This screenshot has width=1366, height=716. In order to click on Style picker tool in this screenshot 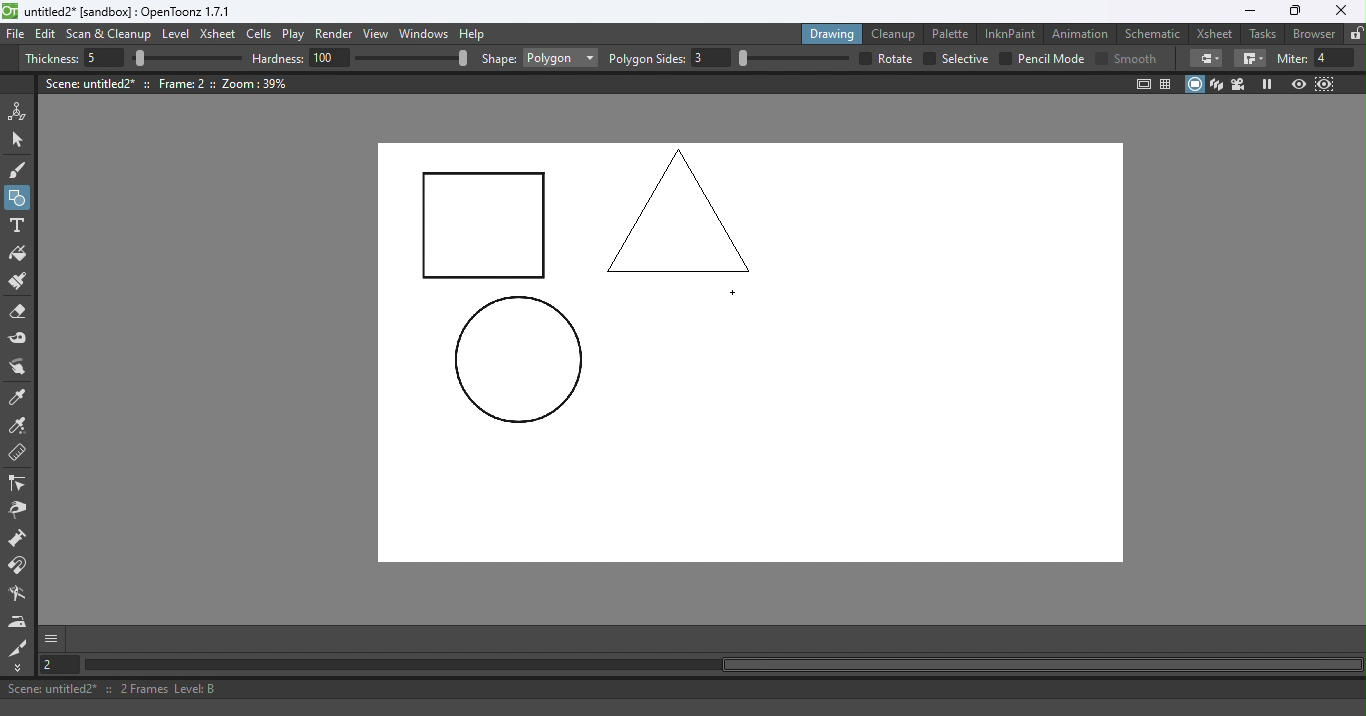, I will do `click(19, 398)`.